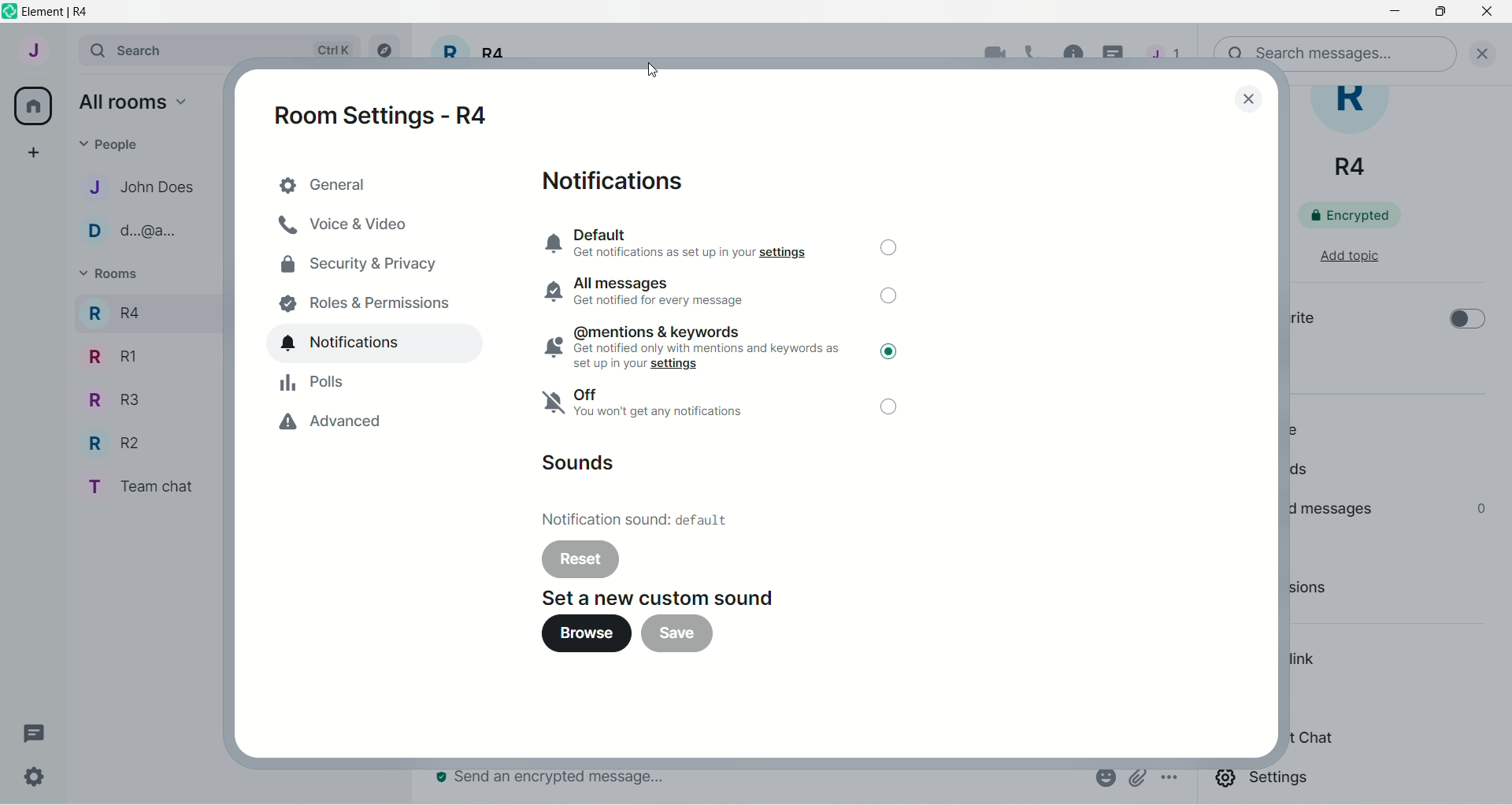 Image resolution: width=1512 pixels, height=805 pixels. What do you see at coordinates (889, 352) in the screenshot?
I see `toggle ` at bounding box center [889, 352].